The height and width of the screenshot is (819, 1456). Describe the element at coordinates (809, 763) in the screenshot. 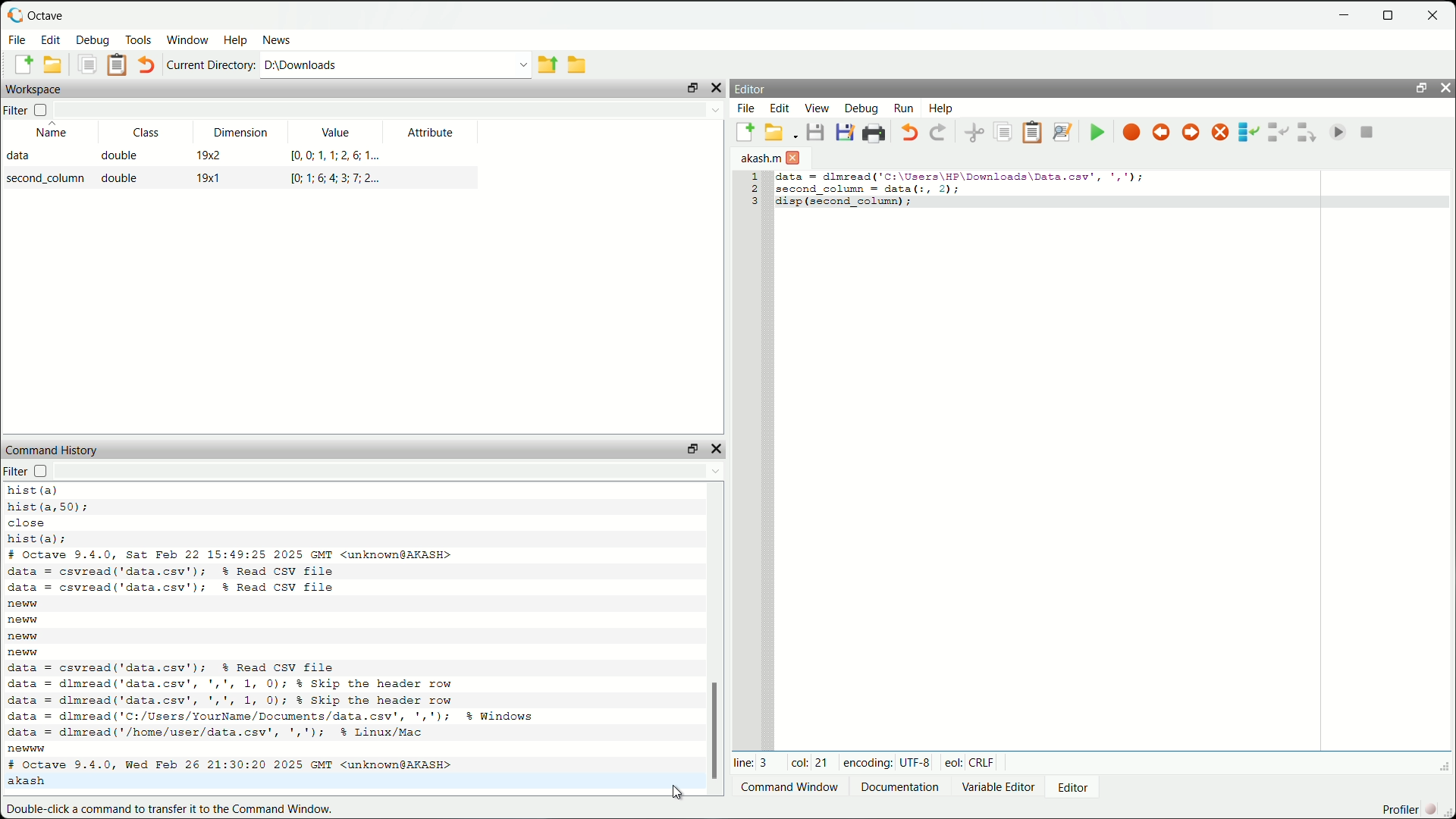

I see `col: 21` at that location.